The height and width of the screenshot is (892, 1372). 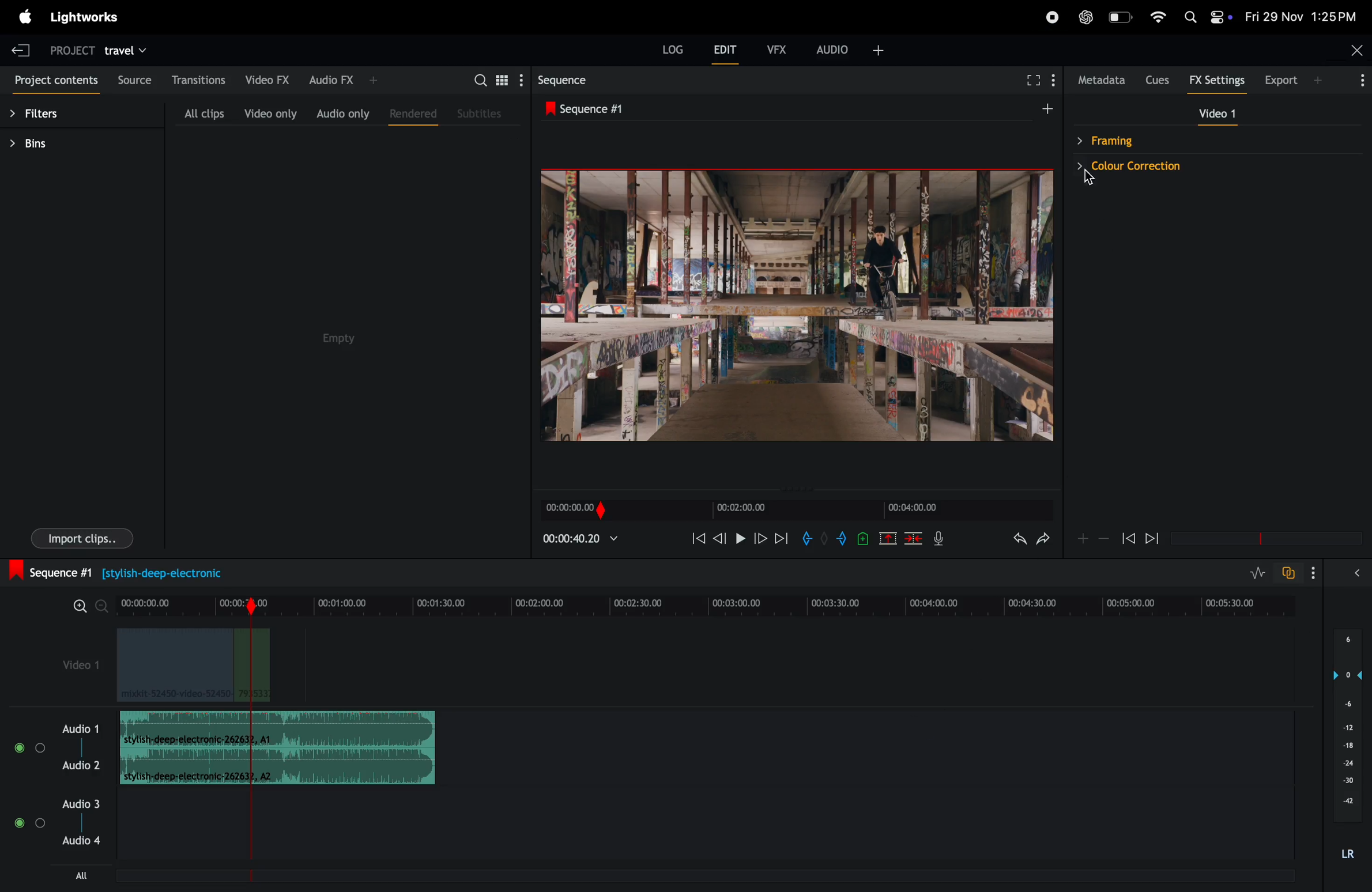 What do you see at coordinates (1150, 540) in the screenshot?
I see `forward` at bounding box center [1150, 540].